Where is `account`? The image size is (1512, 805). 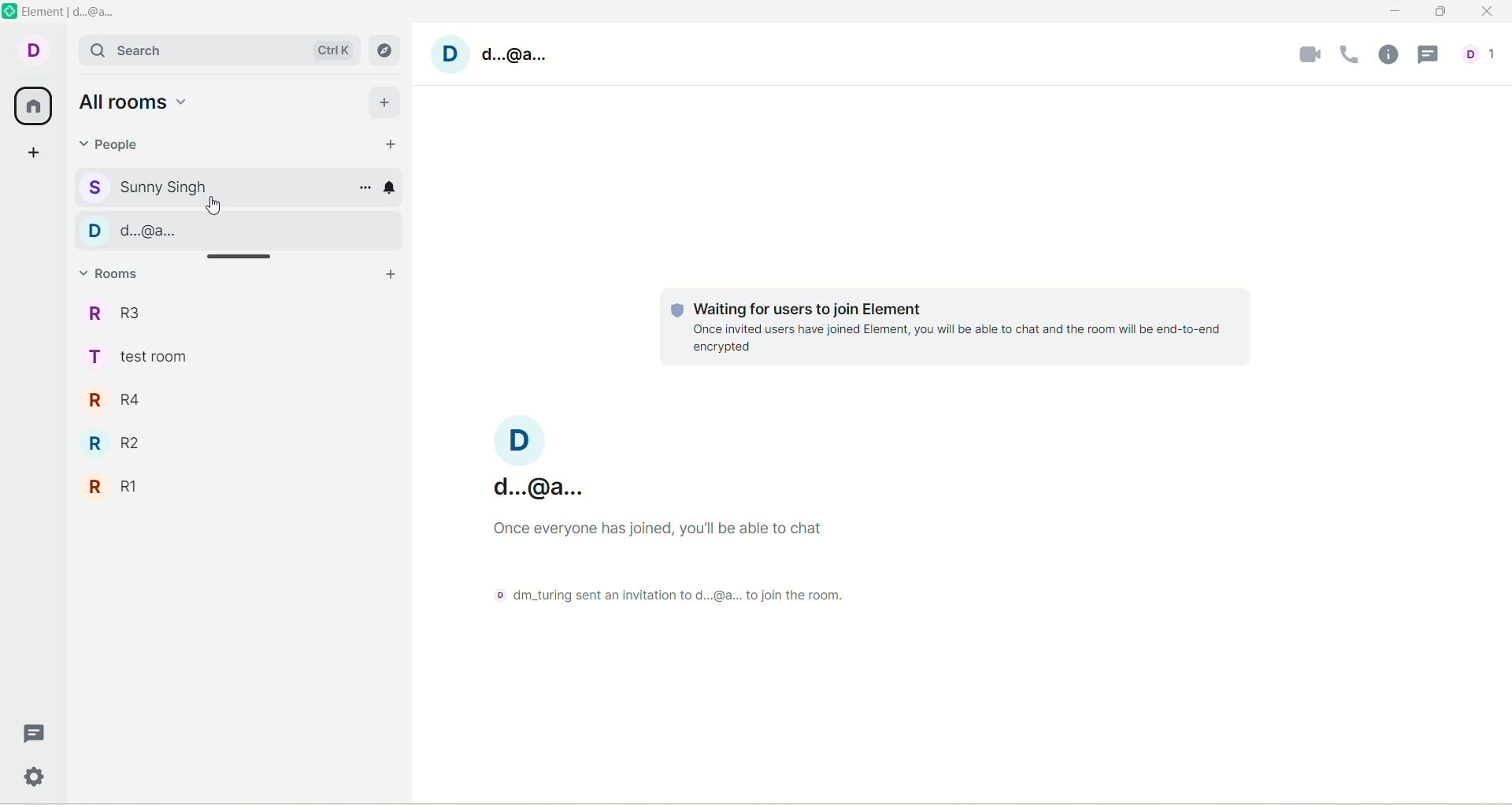 account is located at coordinates (32, 51).